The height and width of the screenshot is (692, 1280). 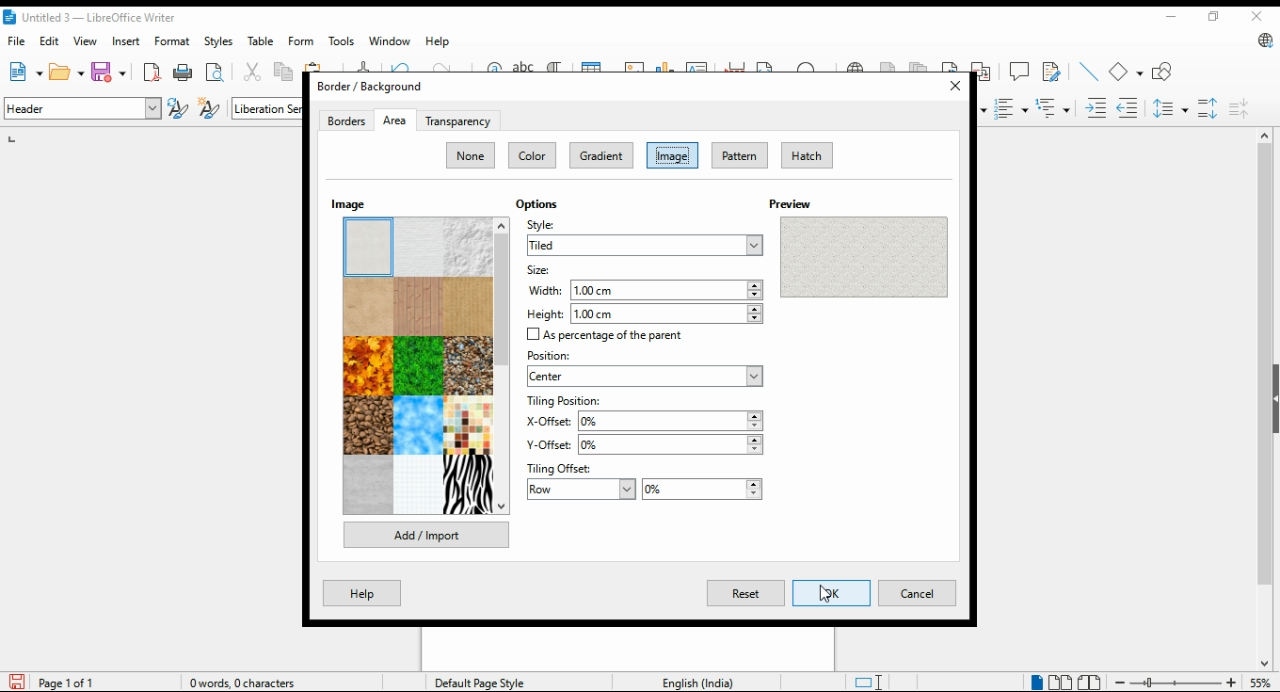 I want to click on increase paragraph spacing, so click(x=1208, y=108).